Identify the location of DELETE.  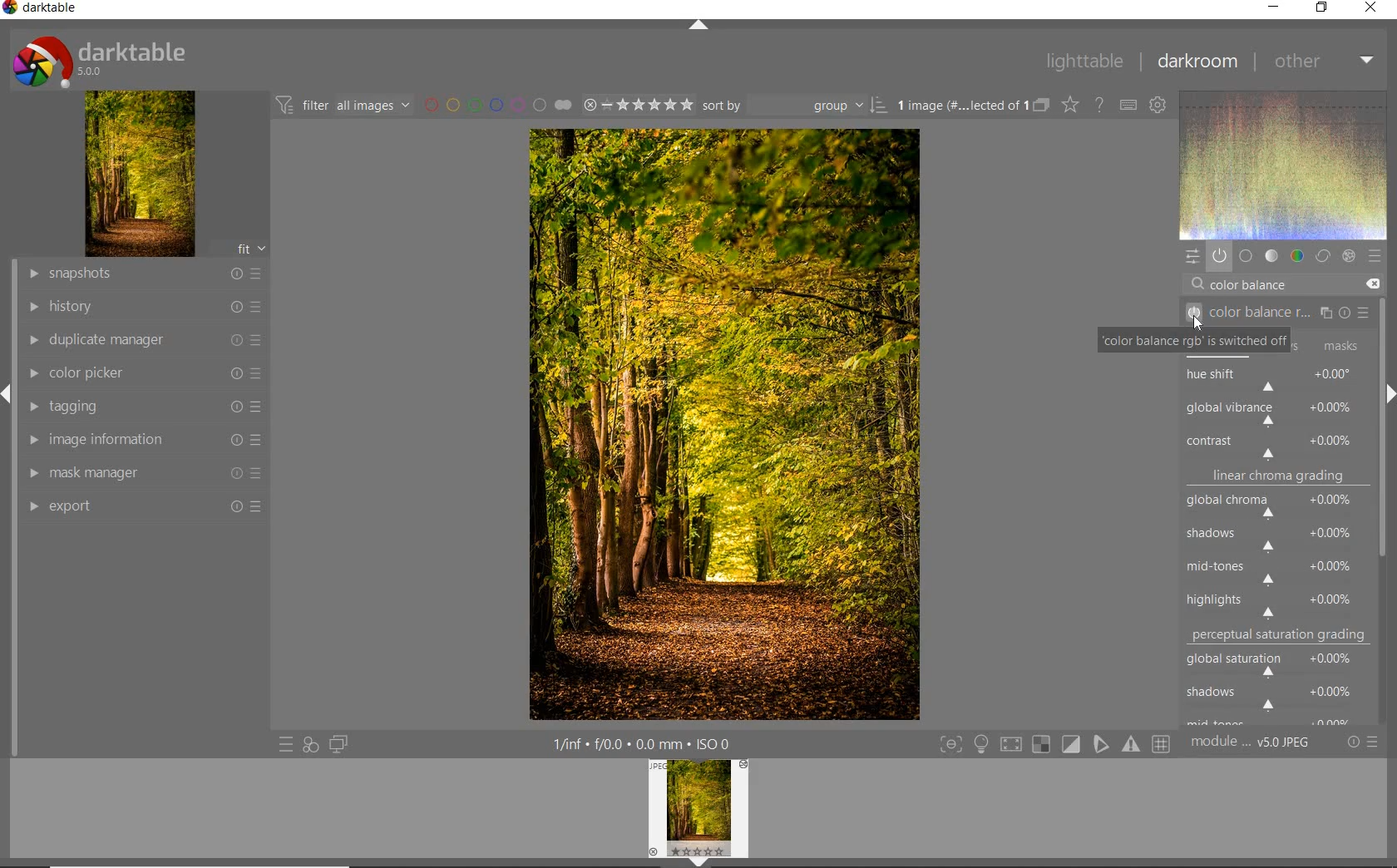
(1372, 284).